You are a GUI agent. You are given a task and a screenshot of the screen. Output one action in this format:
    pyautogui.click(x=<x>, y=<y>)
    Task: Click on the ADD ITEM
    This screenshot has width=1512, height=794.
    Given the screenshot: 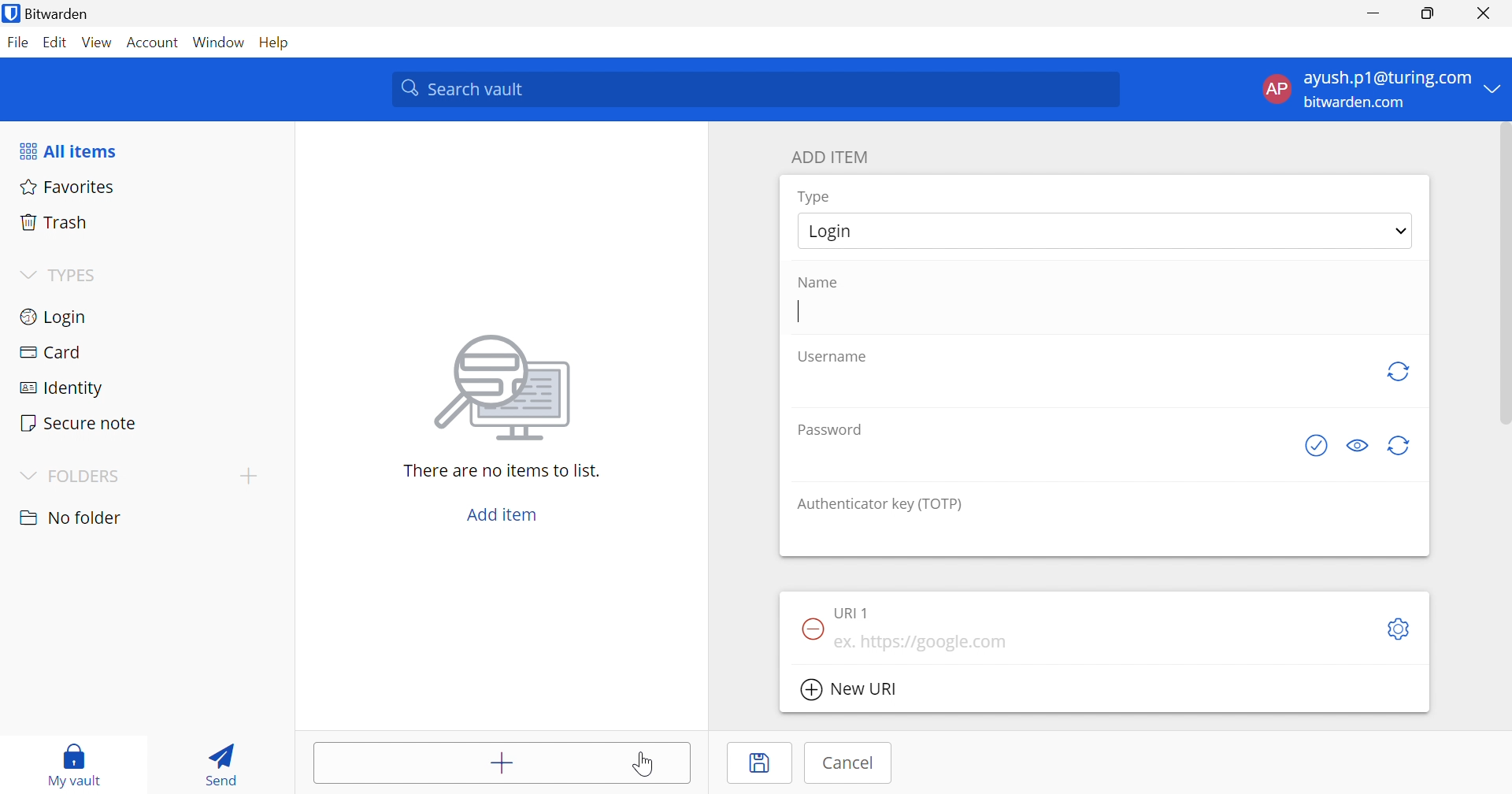 What is the action you would take?
    pyautogui.click(x=830, y=158)
    